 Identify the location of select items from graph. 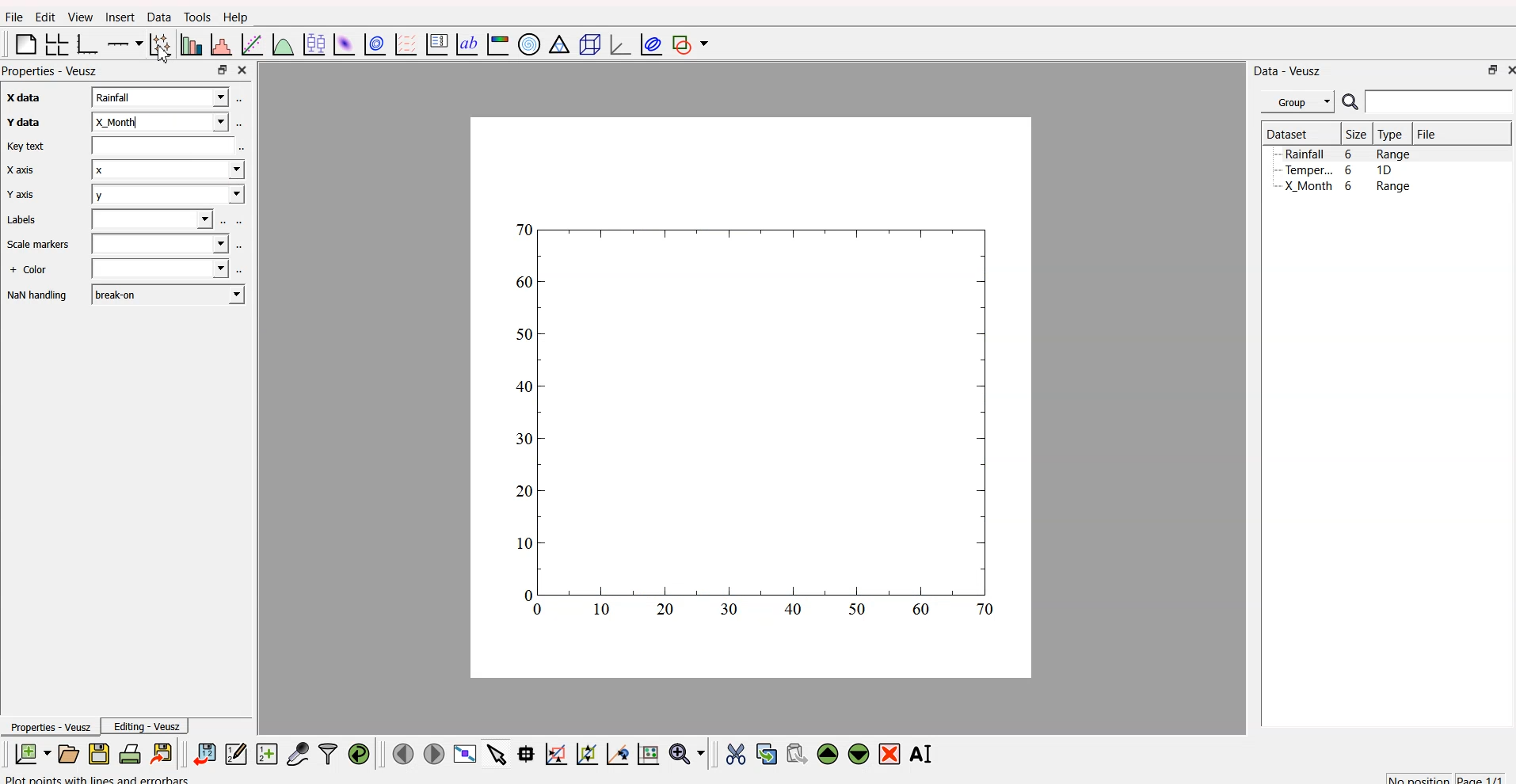
(495, 755).